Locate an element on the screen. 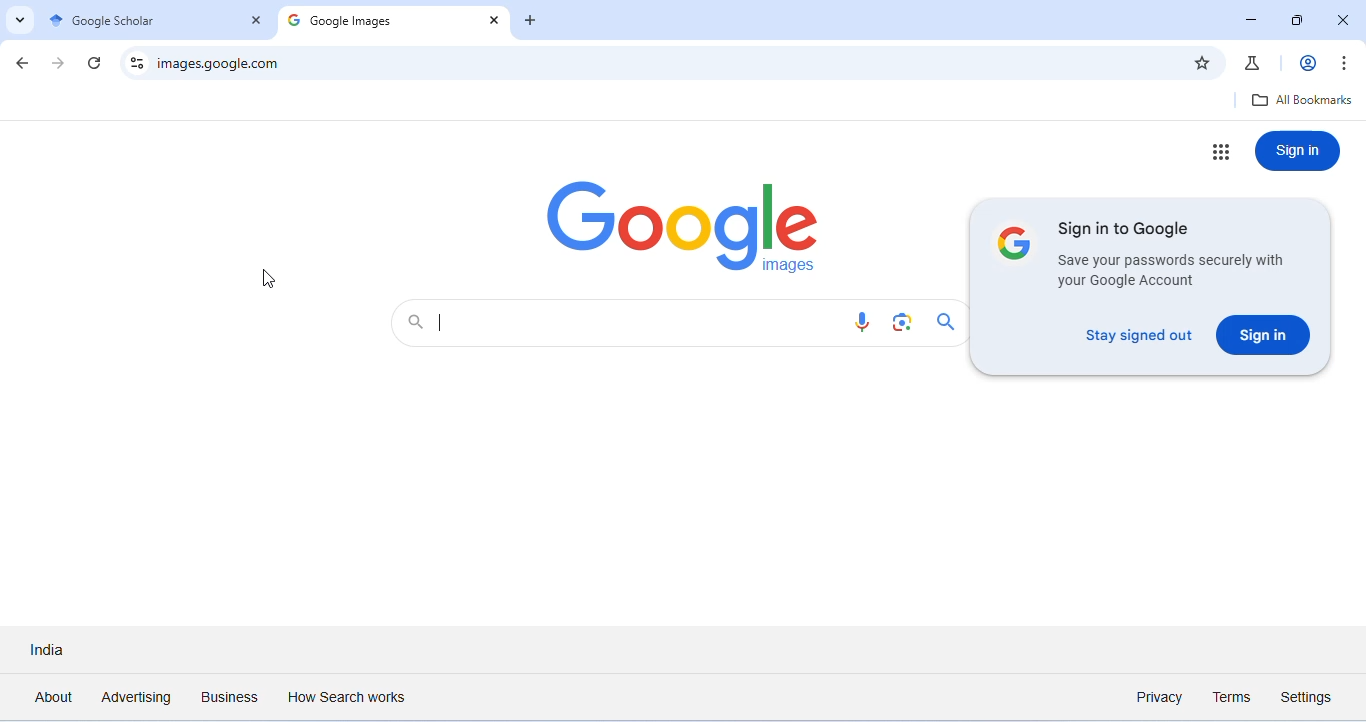 The image size is (1366, 722). search bar  is located at coordinates (619, 324).